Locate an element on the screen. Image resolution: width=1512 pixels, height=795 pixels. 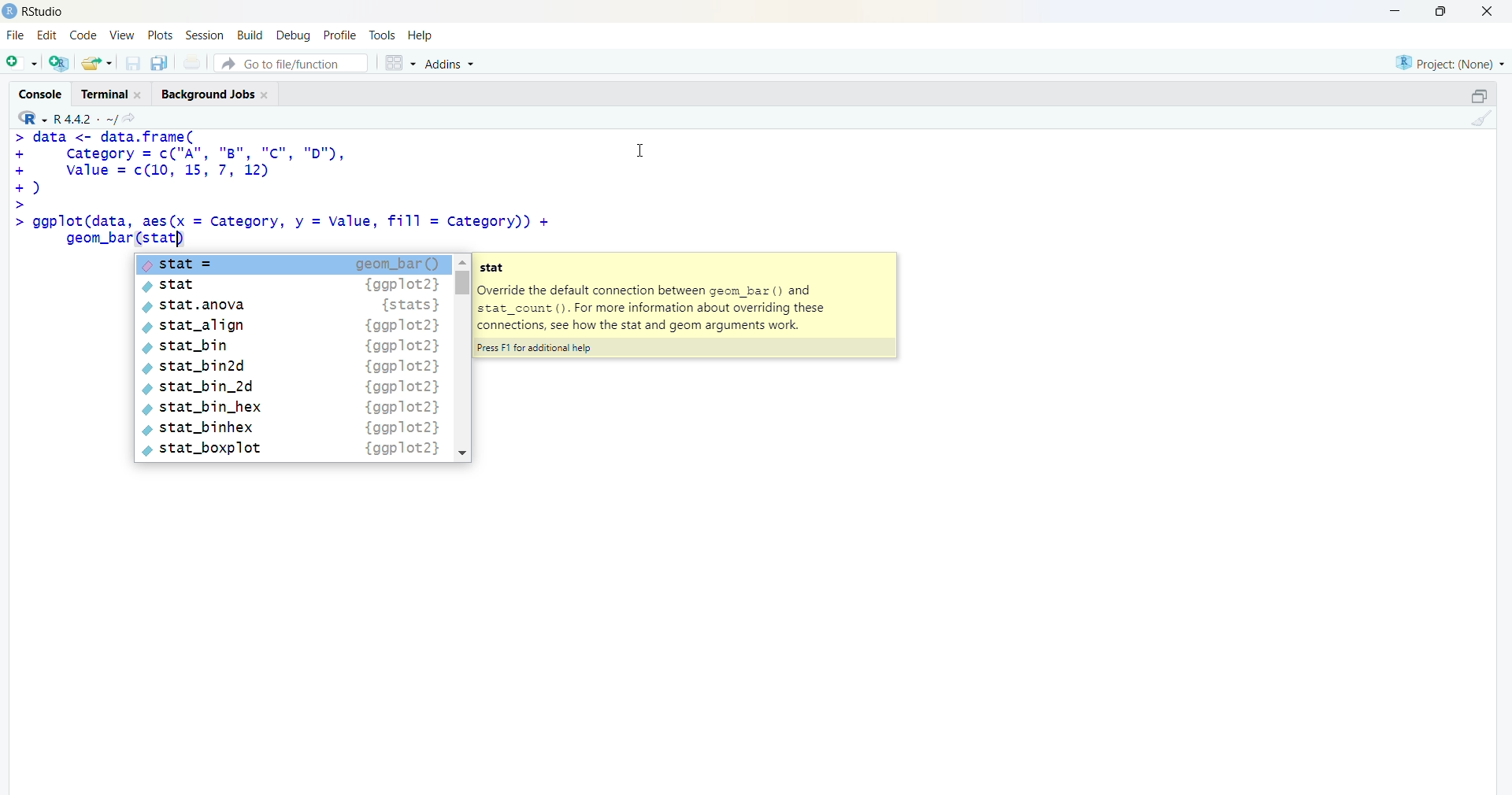
Background Jobs is located at coordinates (214, 91).